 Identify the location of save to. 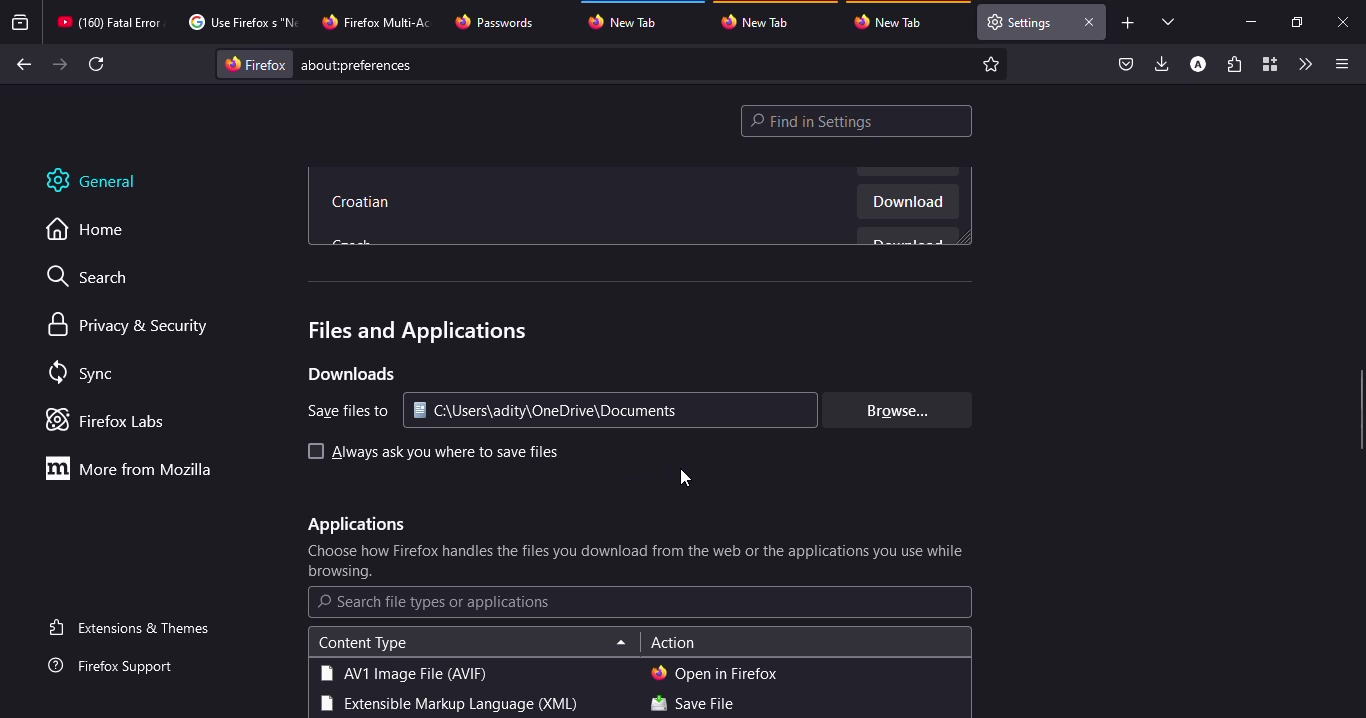
(342, 411).